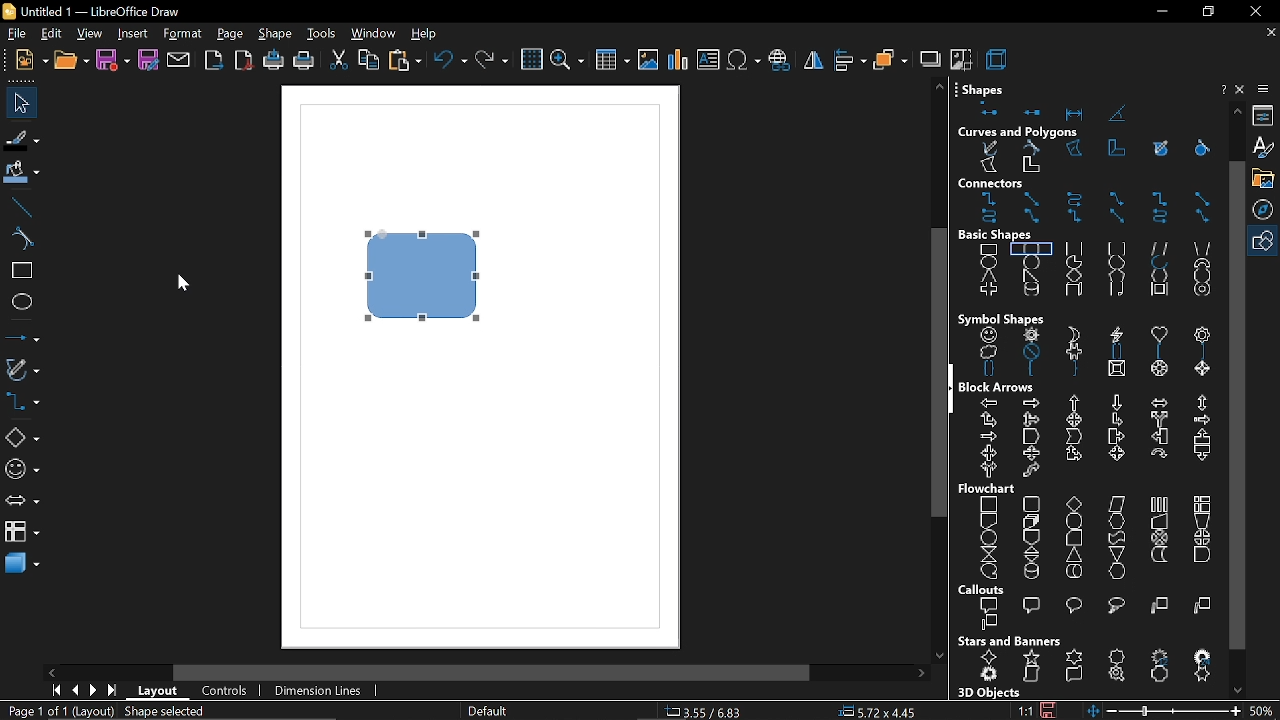 The image size is (1280, 720). I want to click on close, so click(1242, 89).